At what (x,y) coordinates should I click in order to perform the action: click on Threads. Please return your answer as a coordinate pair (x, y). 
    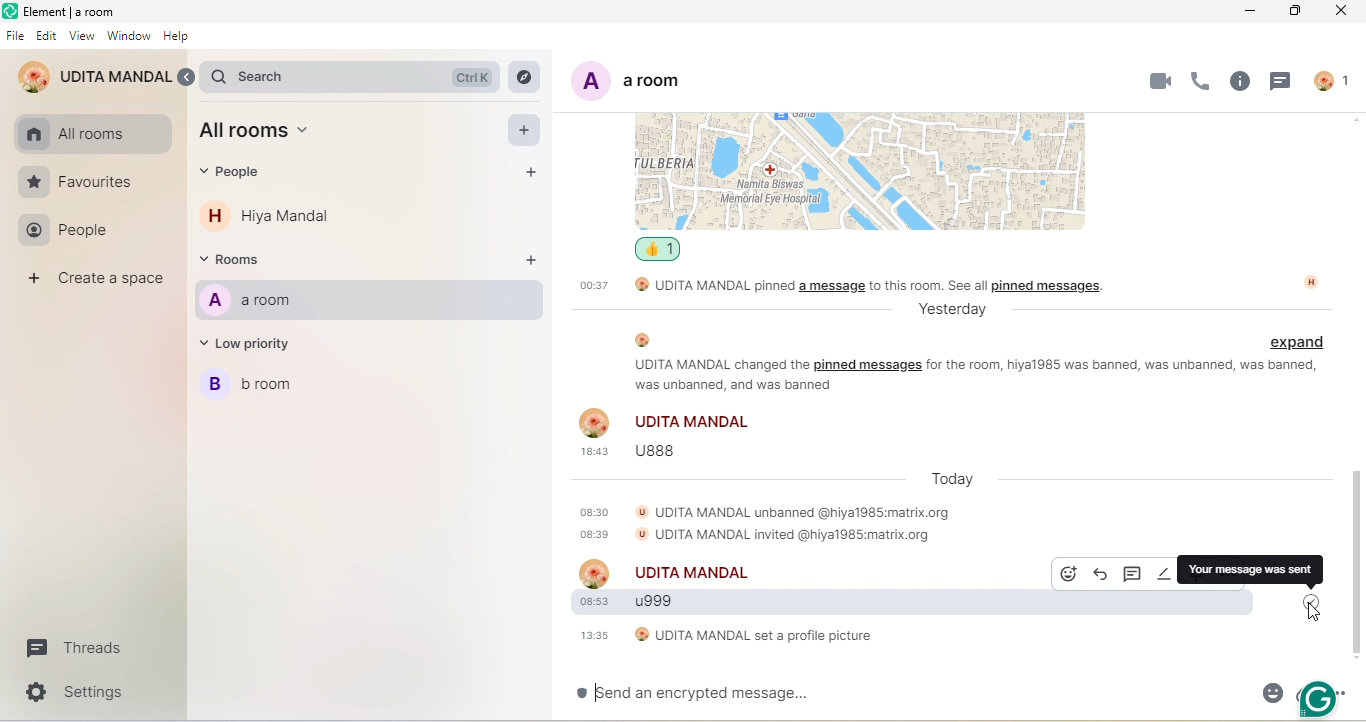
    Looking at the image, I should click on (77, 648).